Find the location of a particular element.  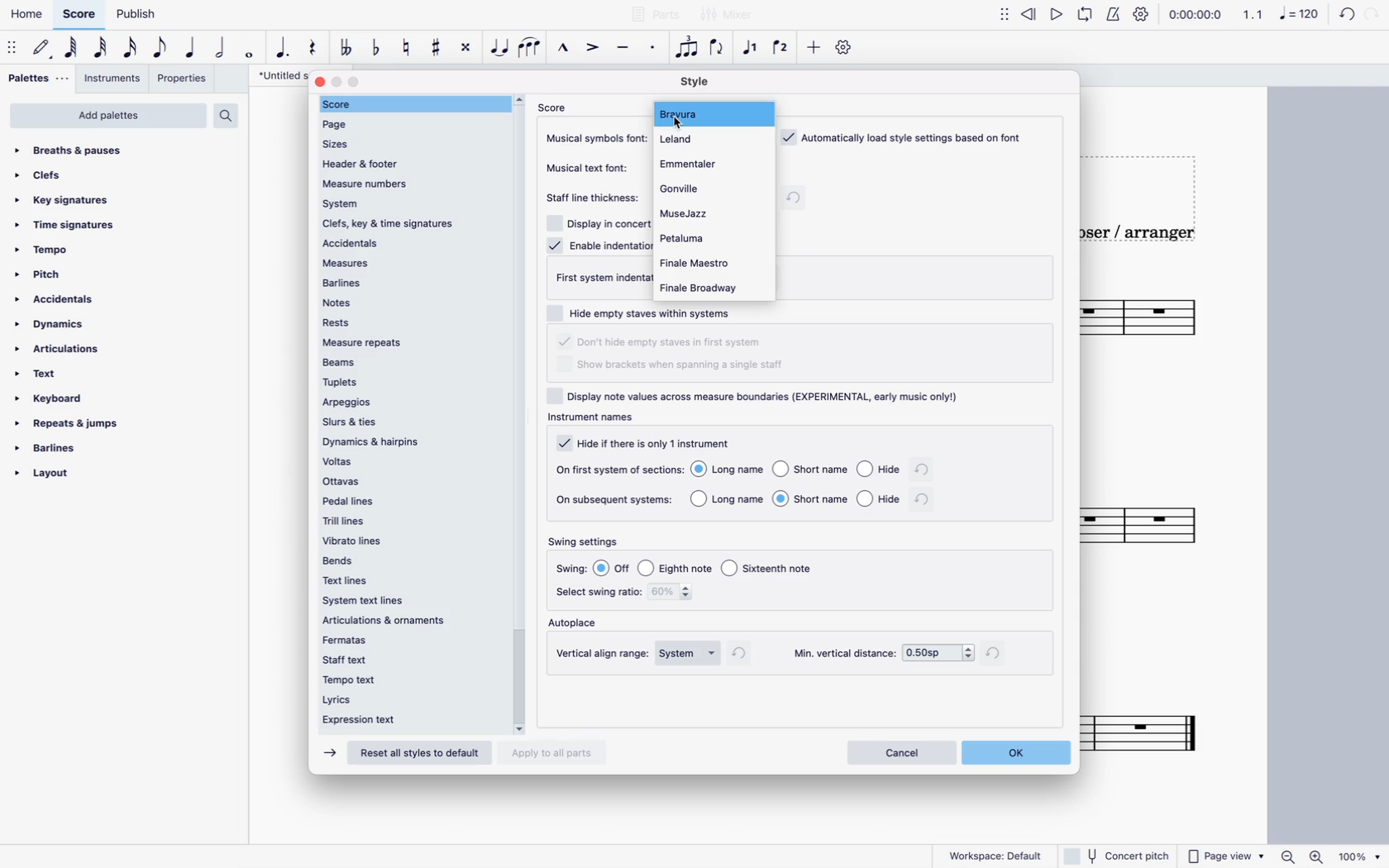

more is located at coordinates (815, 48).